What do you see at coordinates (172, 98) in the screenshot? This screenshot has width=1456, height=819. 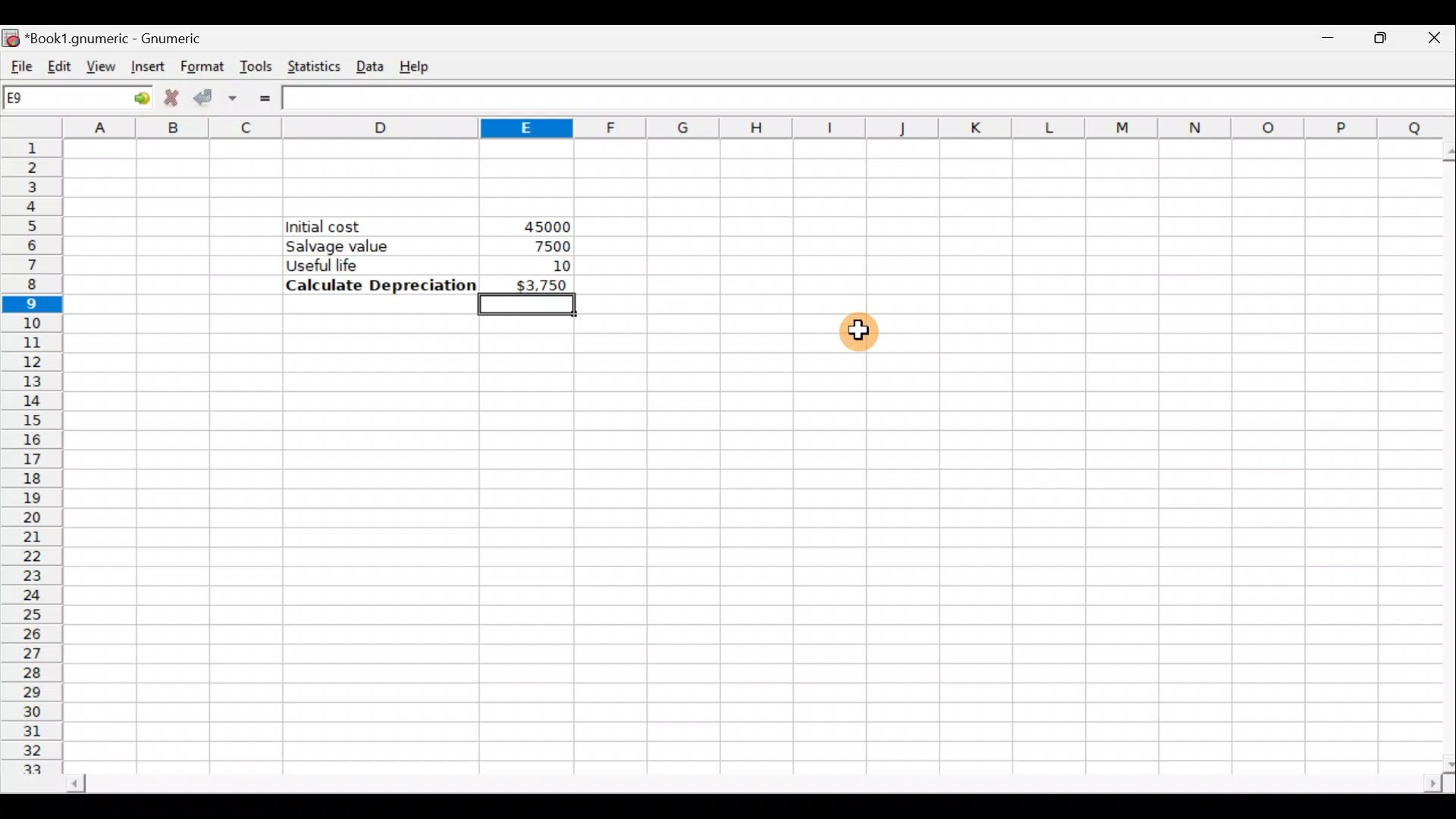 I see `Cancel change` at bounding box center [172, 98].